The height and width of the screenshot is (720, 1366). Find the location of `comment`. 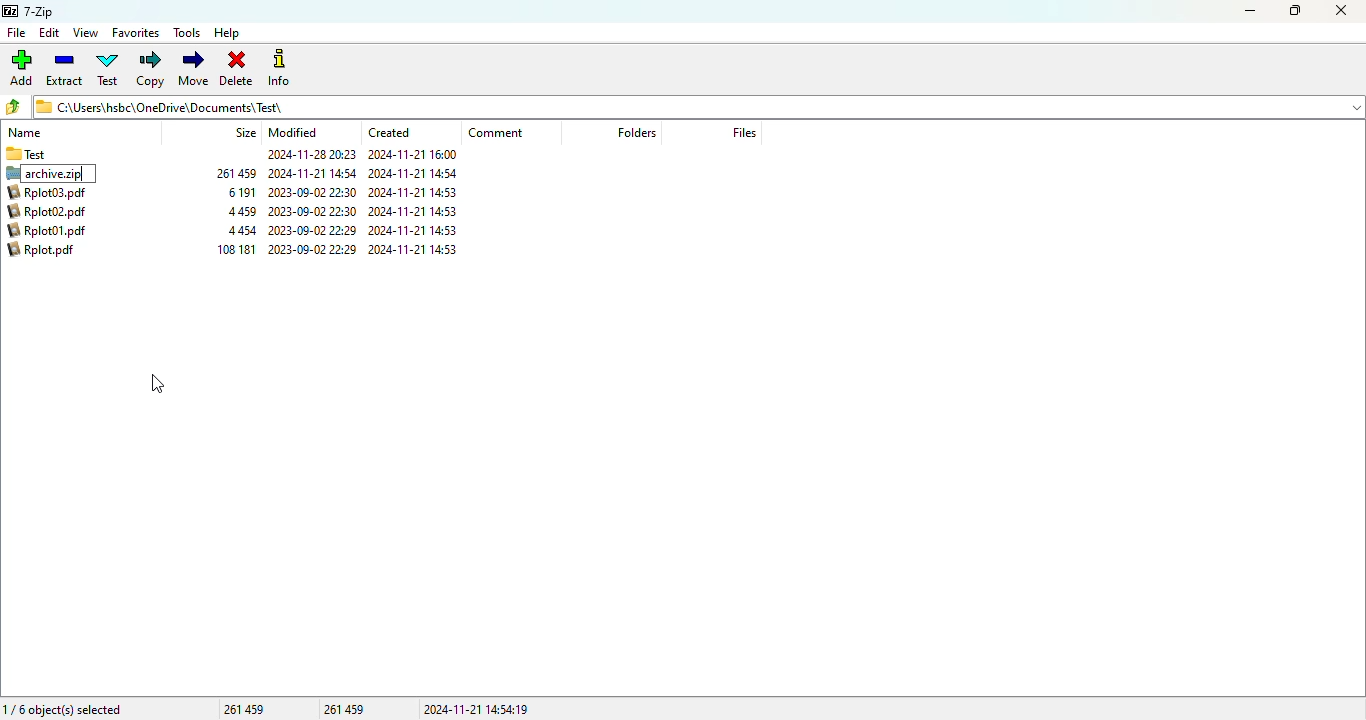

comment is located at coordinates (496, 133).